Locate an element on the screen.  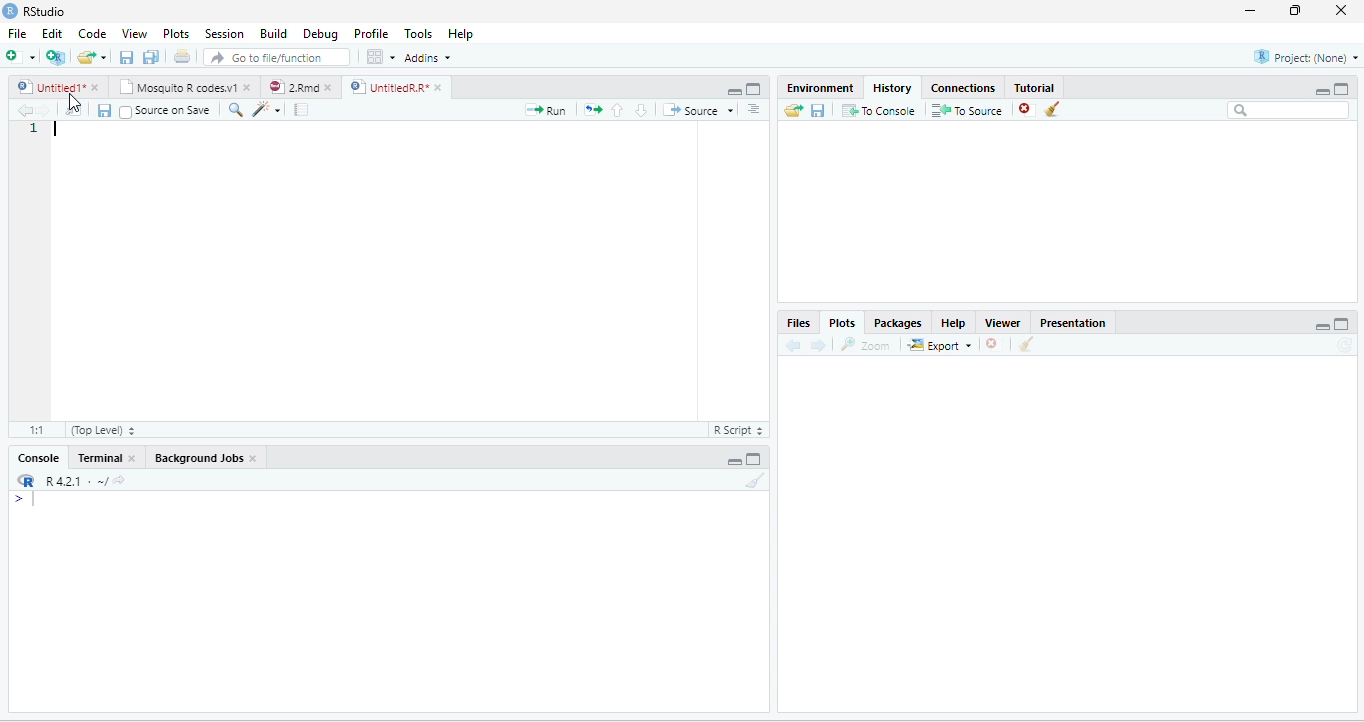
Code tools is located at coordinates (268, 110).